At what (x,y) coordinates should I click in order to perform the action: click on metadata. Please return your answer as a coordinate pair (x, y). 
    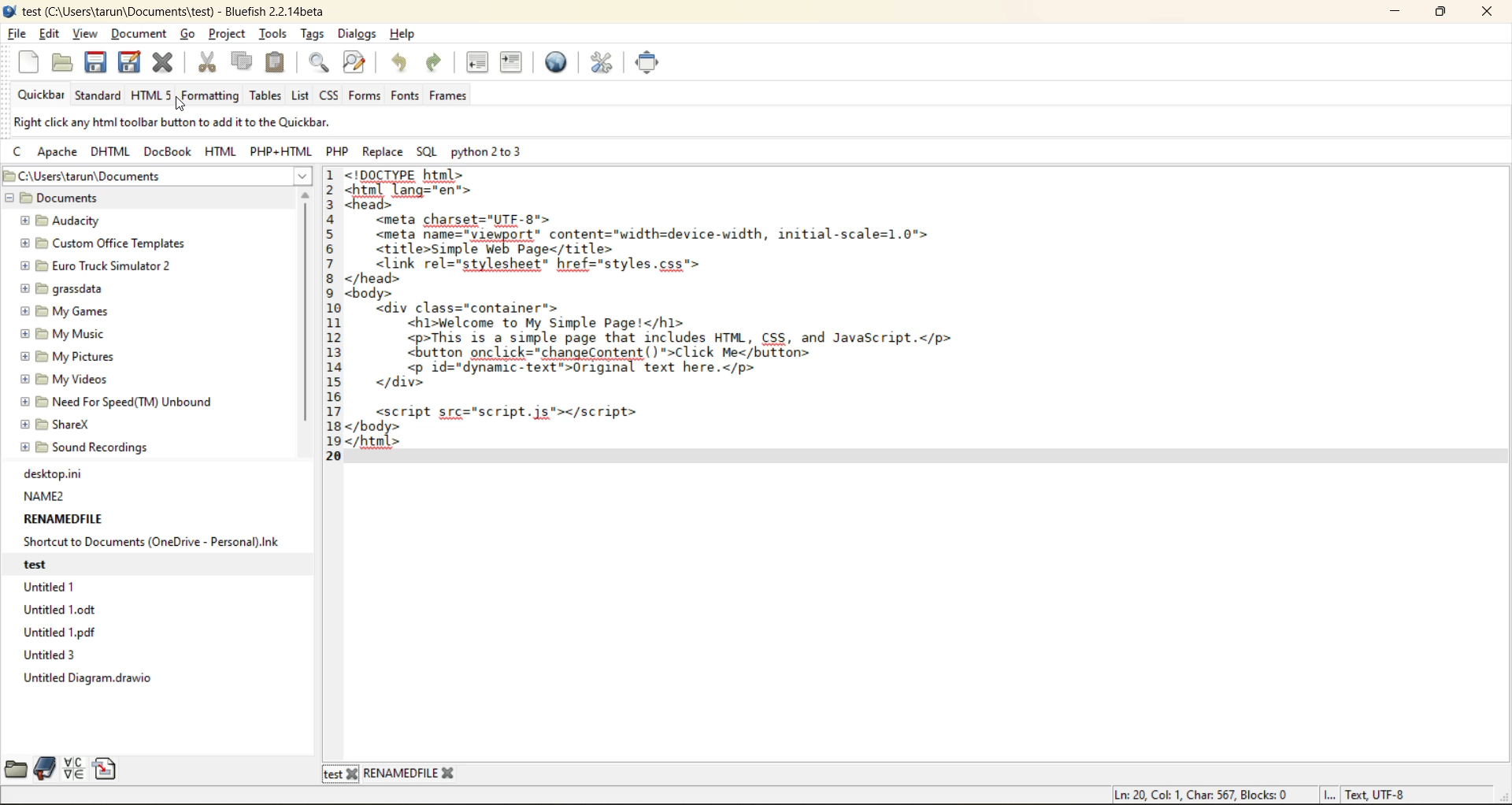
    Looking at the image, I should click on (193, 121).